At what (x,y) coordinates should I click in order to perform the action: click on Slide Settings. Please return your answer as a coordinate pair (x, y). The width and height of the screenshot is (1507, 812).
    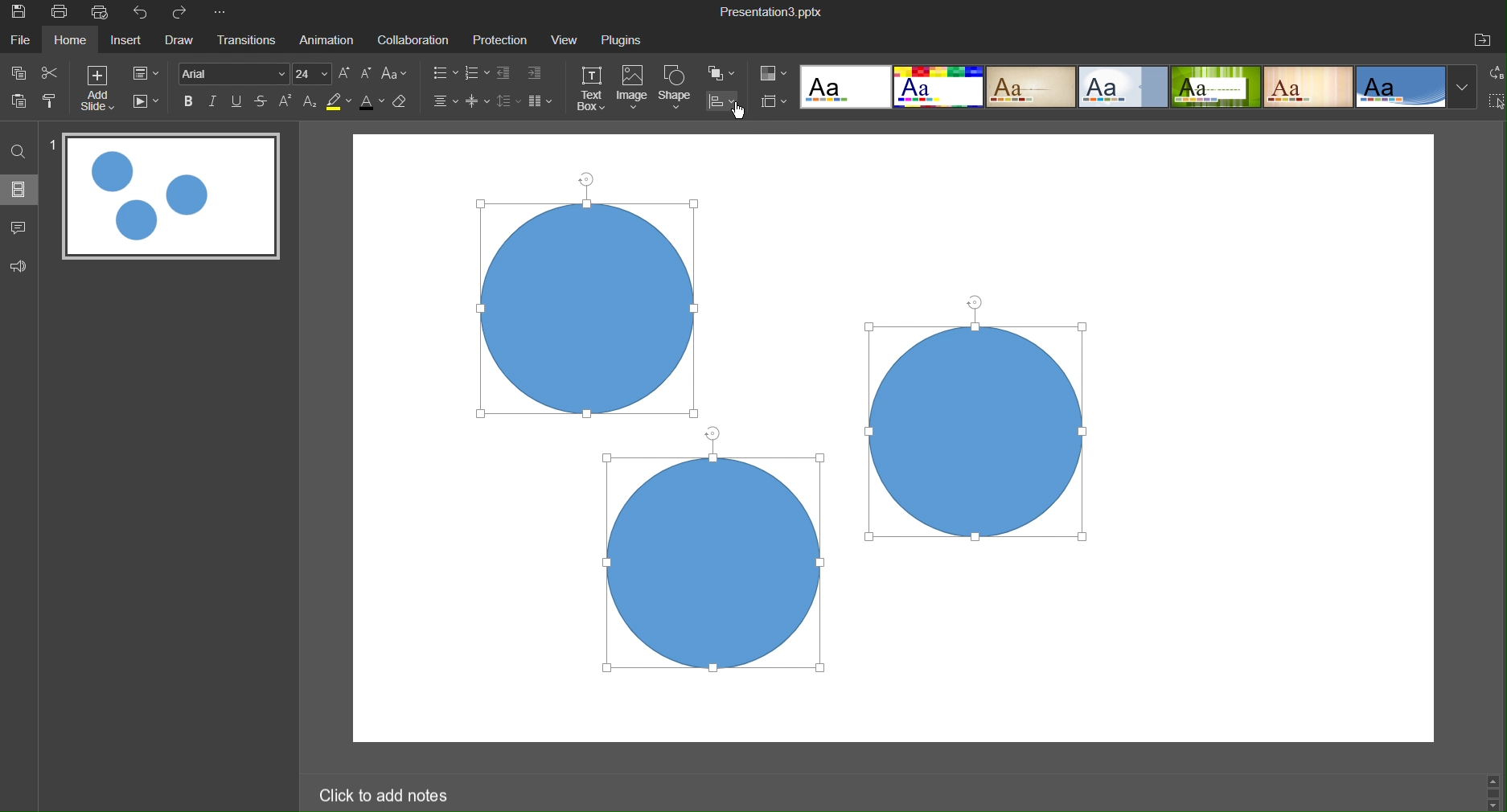
    Looking at the image, I should click on (151, 75).